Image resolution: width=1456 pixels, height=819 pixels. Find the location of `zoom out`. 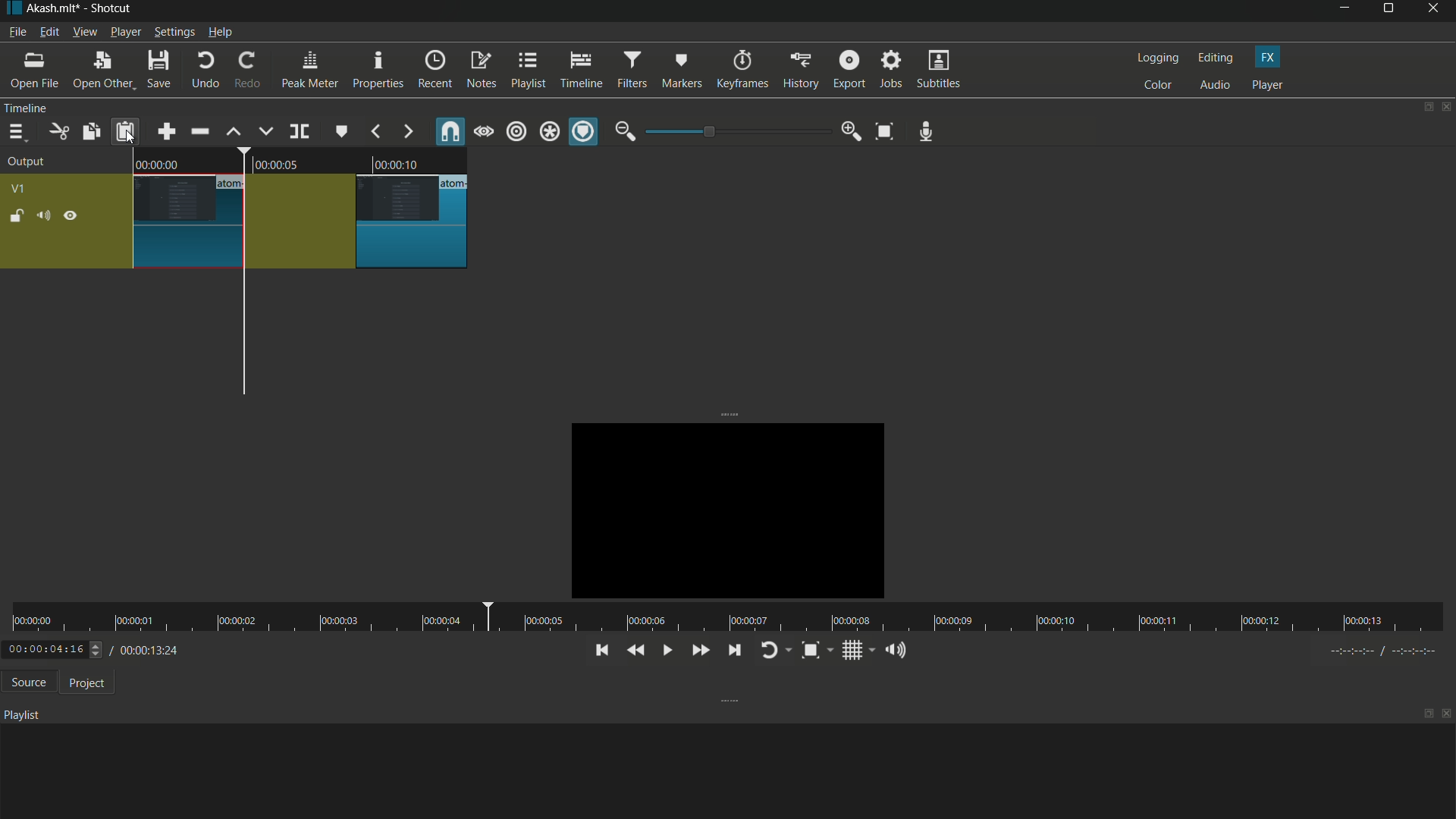

zoom out is located at coordinates (625, 131).